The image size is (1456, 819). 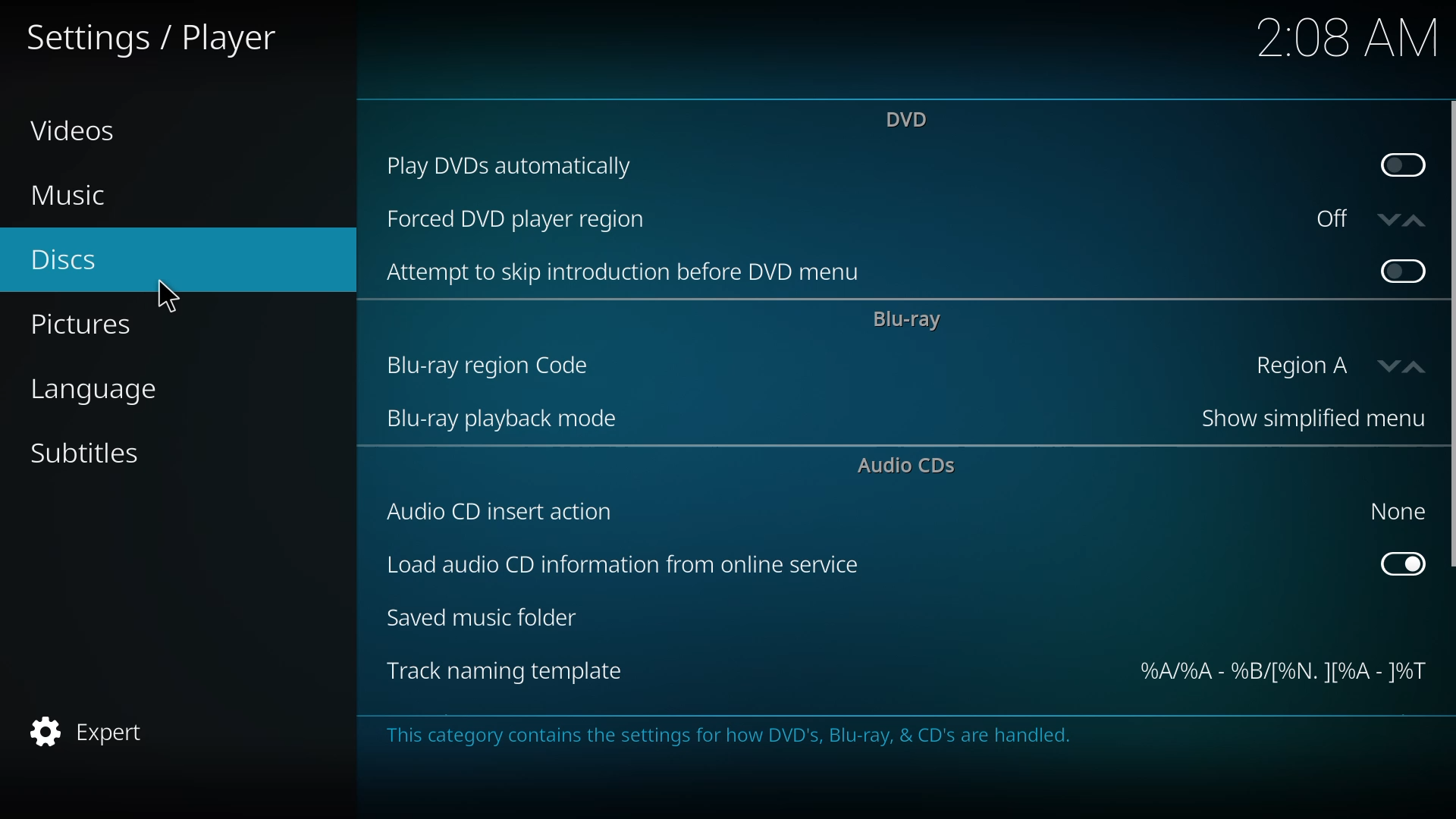 What do you see at coordinates (1282, 673) in the screenshot?
I see `template` at bounding box center [1282, 673].